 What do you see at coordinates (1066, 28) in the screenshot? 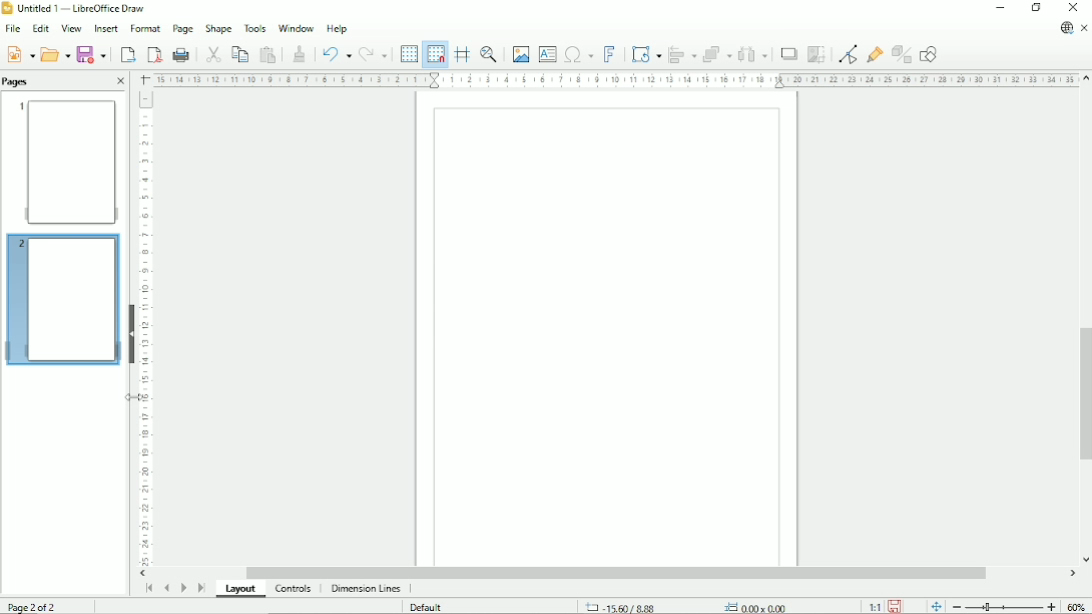
I see `Update available` at bounding box center [1066, 28].